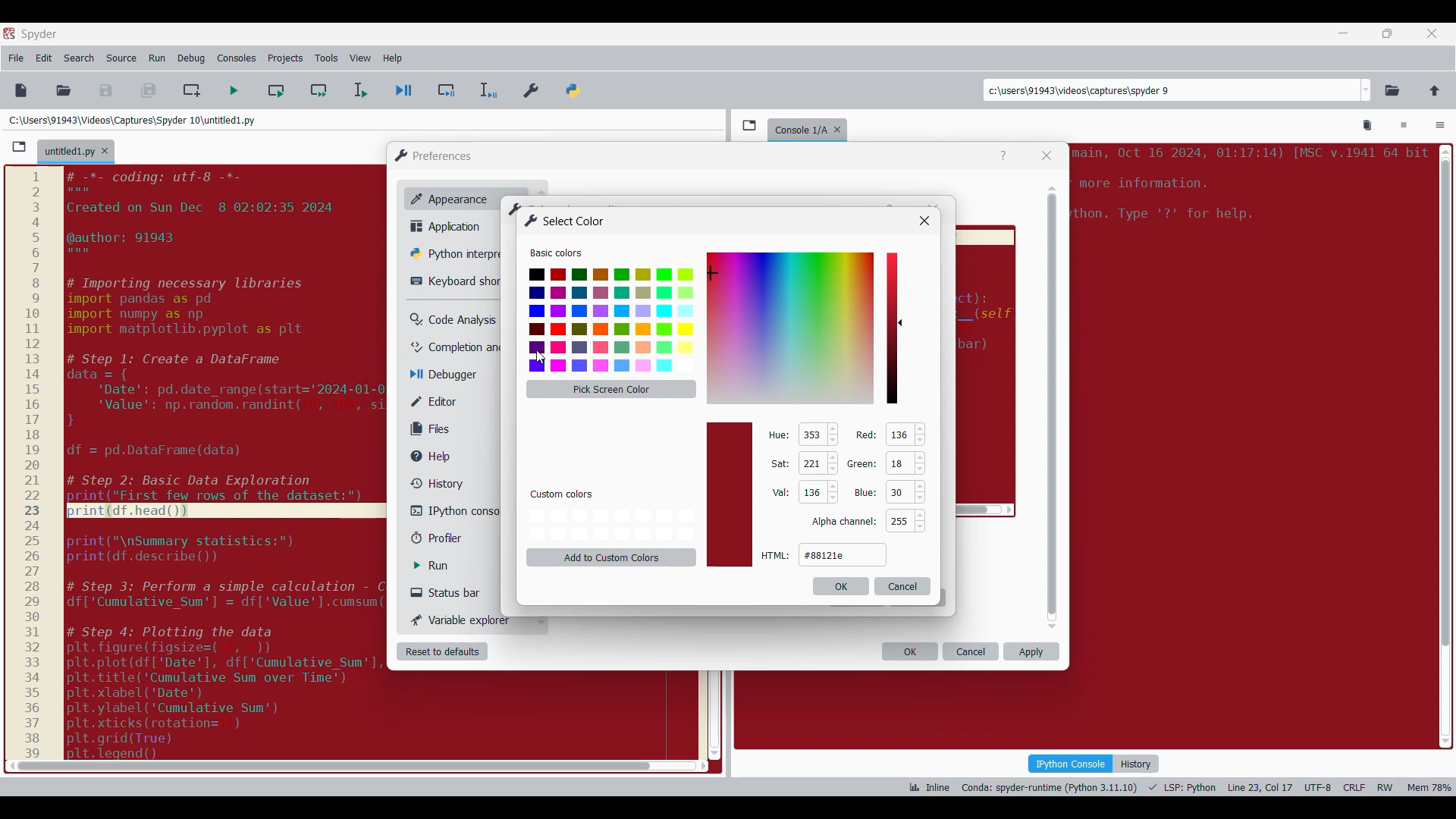 The height and width of the screenshot is (819, 1456). I want to click on History, so click(434, 483).